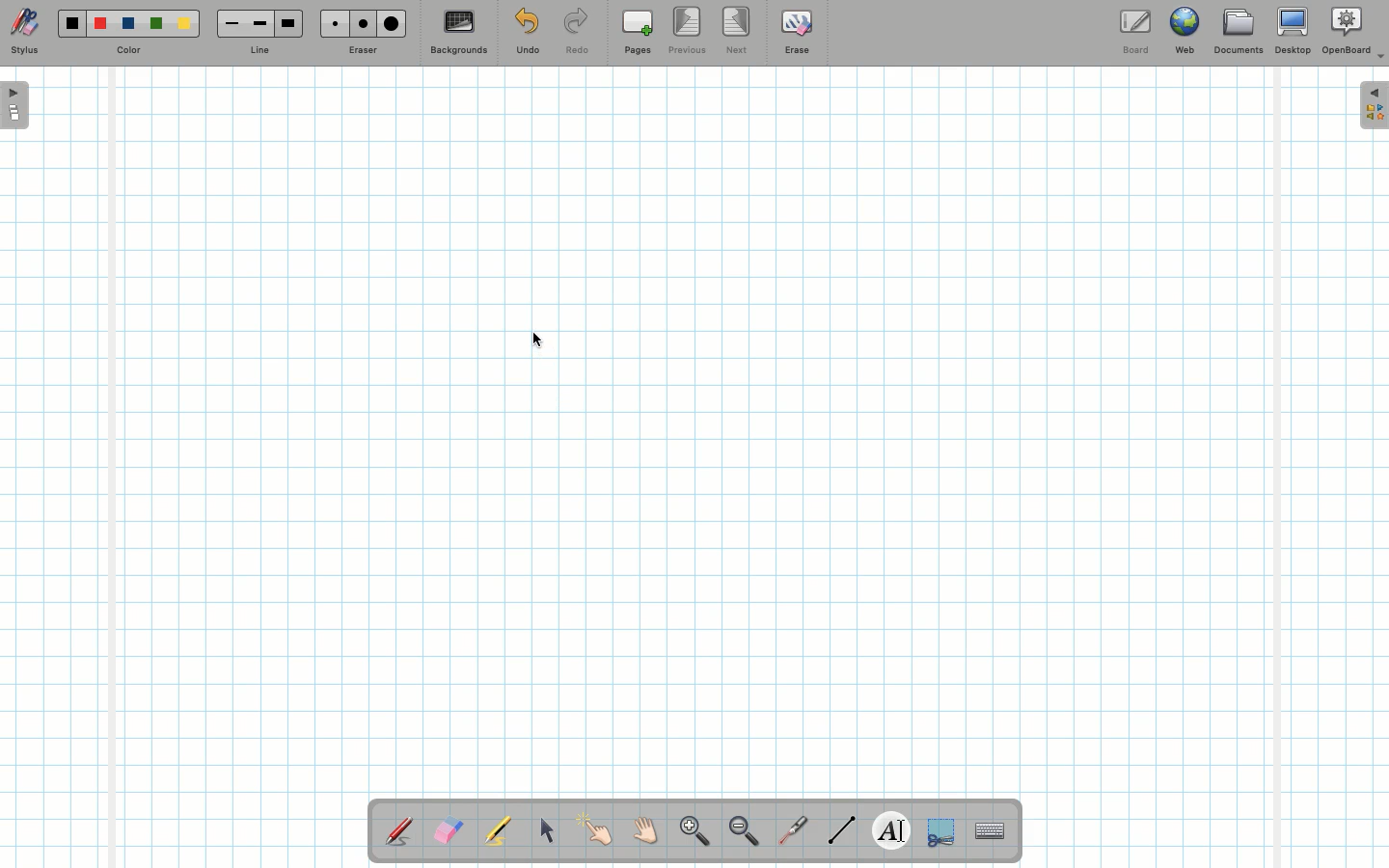  What do you see at coordinates (689, 32) in the screenshot?
I see `Previous` at bounding box center [689, 32].